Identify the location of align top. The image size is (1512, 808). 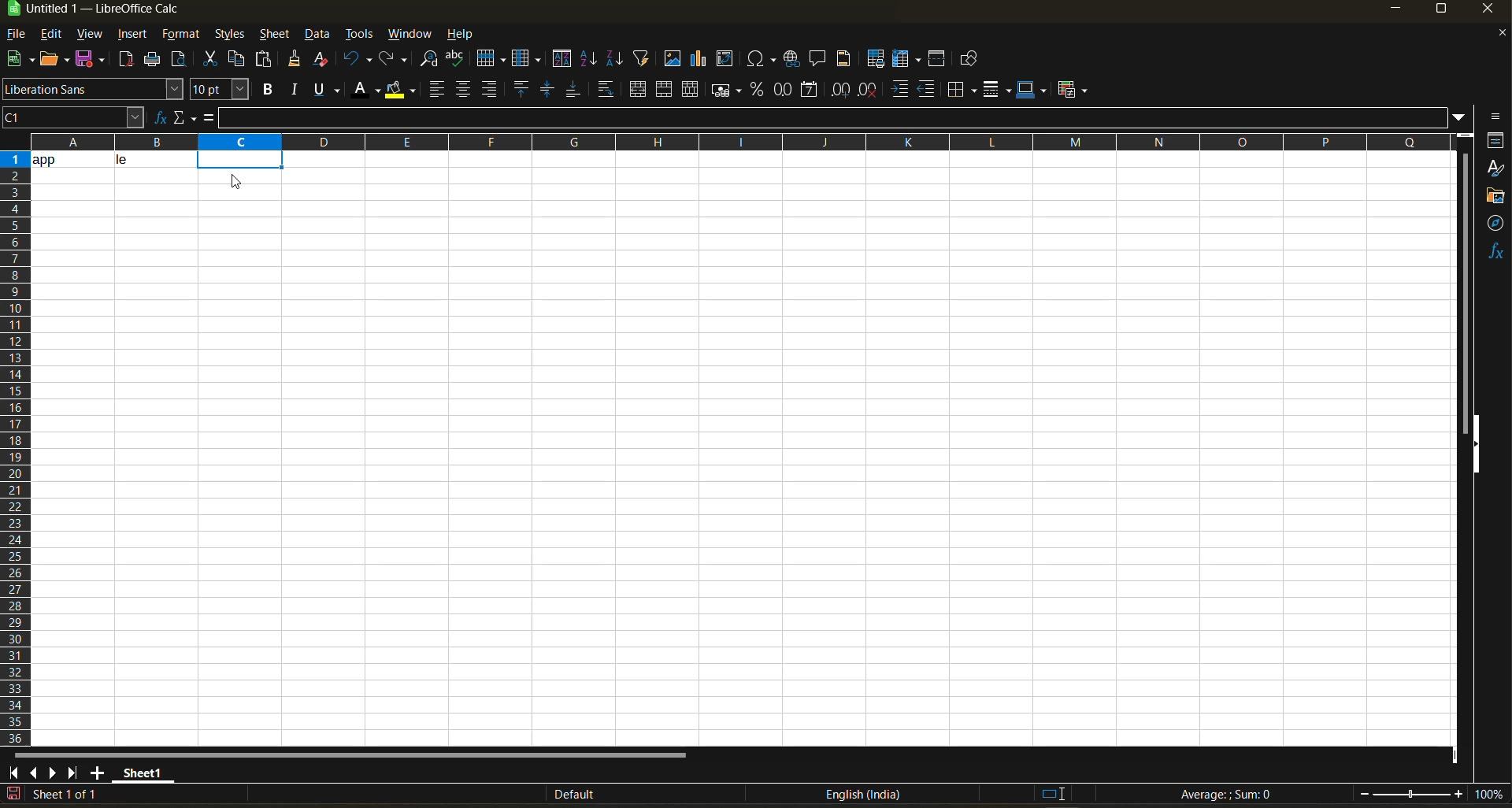
(519, 89).